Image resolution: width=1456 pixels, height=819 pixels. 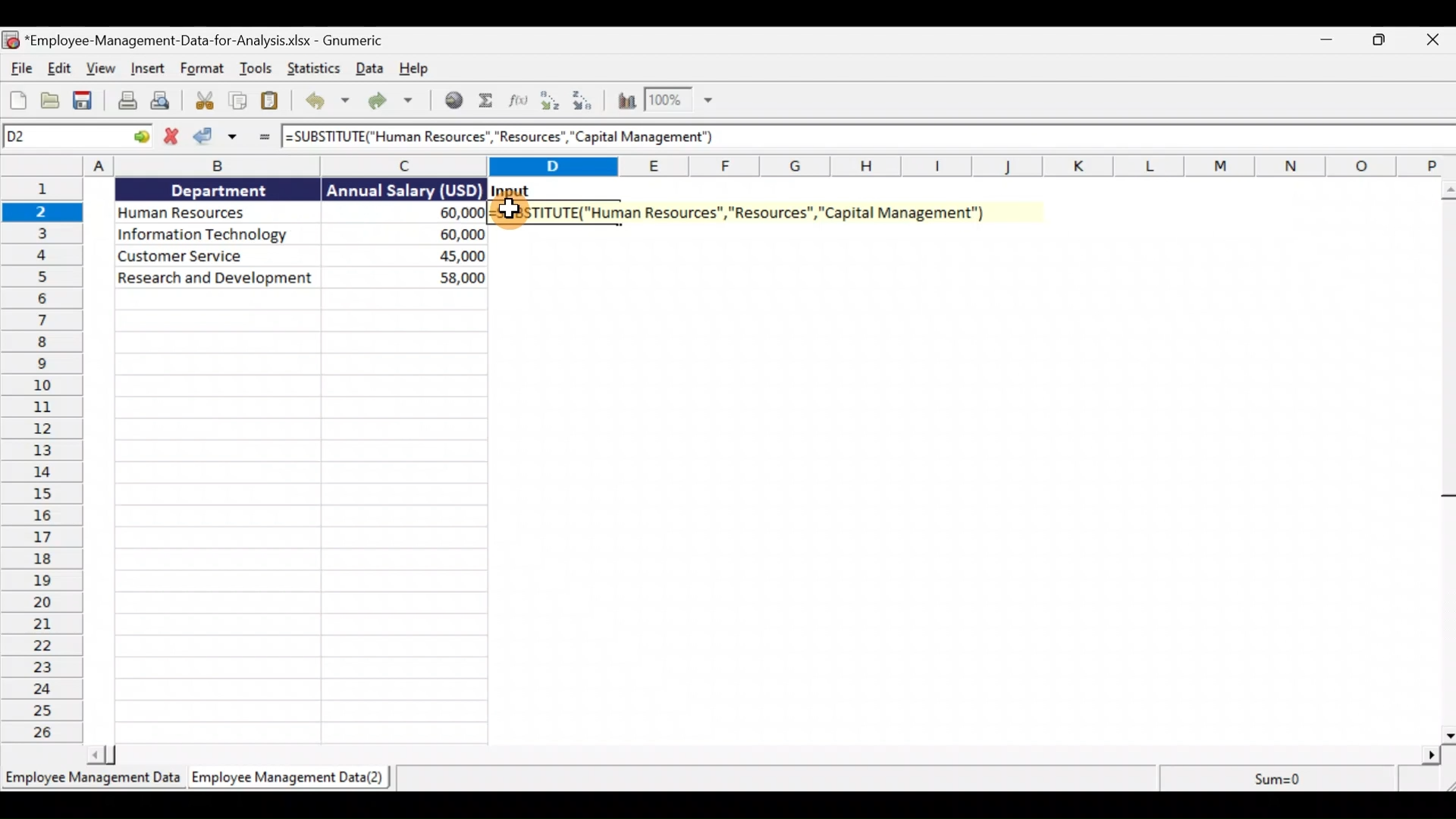 What do you see at coordinates (1380, 43) in the screenshot?
I see `Maximise` at bounding box center [1380, 43].